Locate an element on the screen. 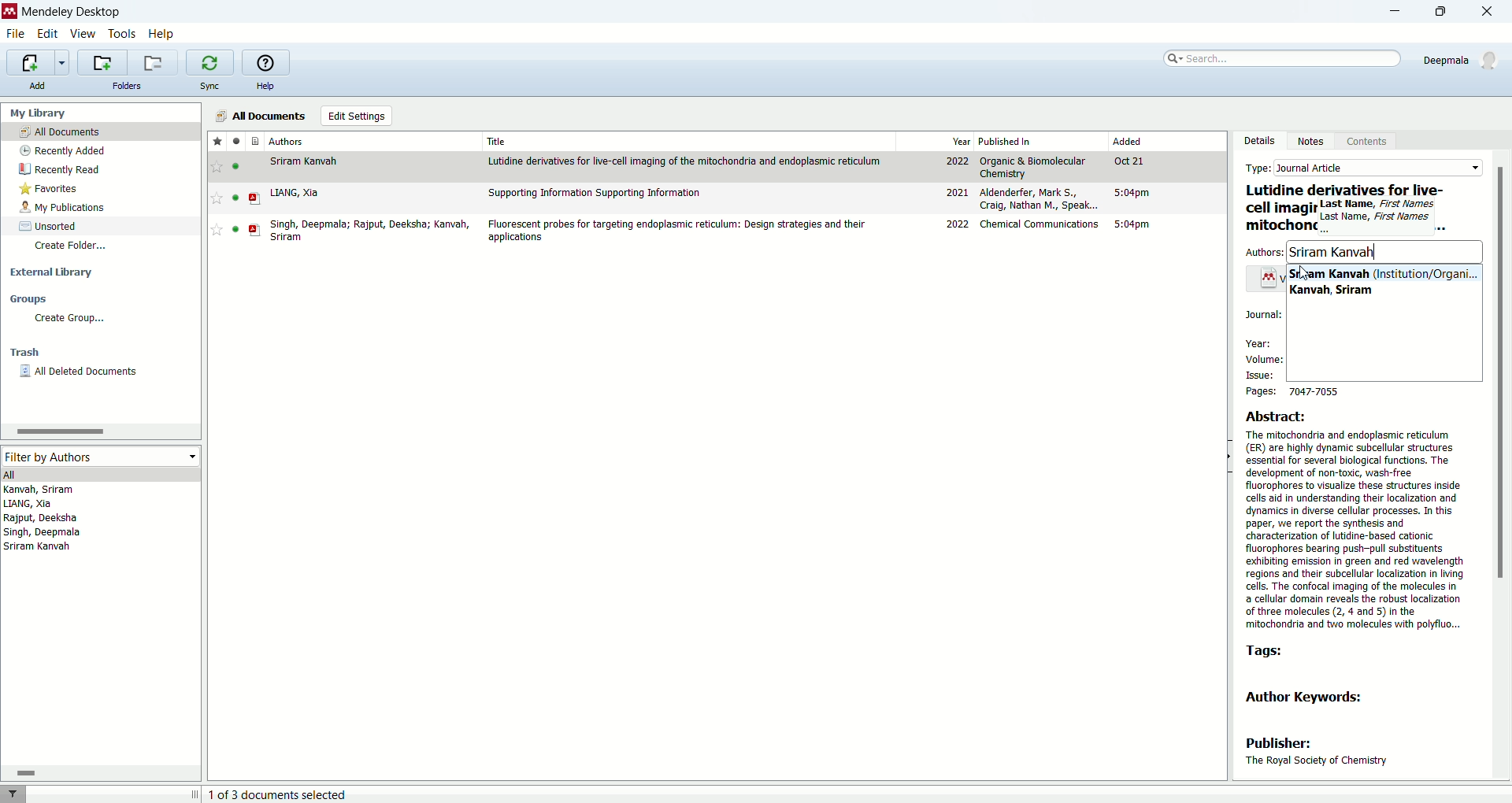 Image resolution: width=1512 pixels, height=803 pixels. filter by authors is located at coordinates (101, 455).